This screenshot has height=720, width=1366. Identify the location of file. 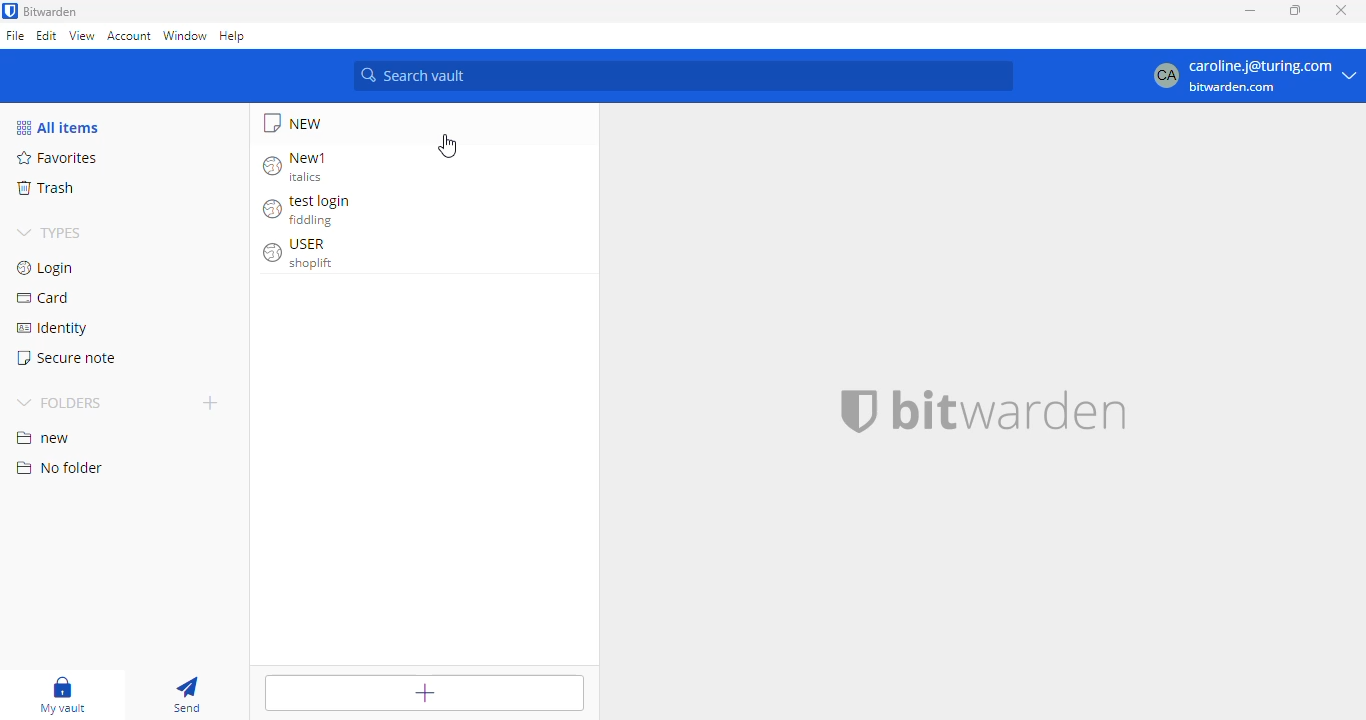
(15, 35).